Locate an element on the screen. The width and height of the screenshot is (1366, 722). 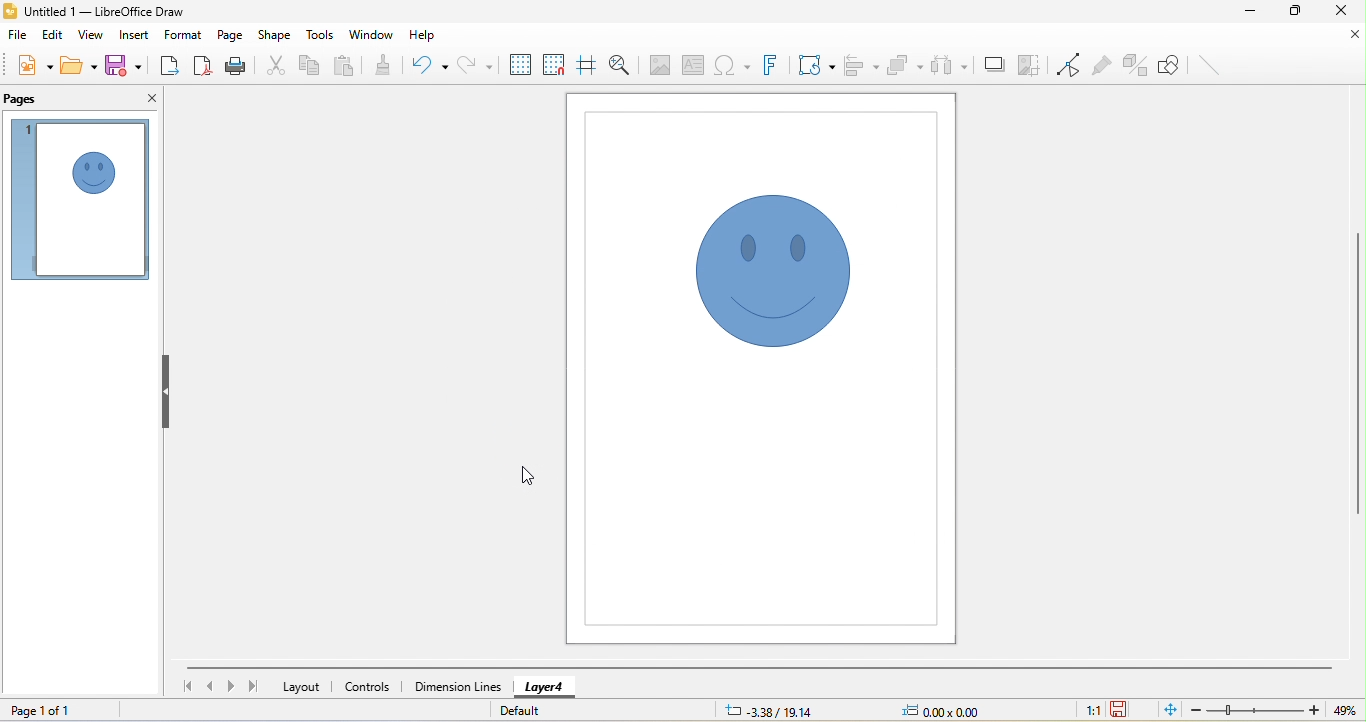
image is located at coordinates (659, 64).